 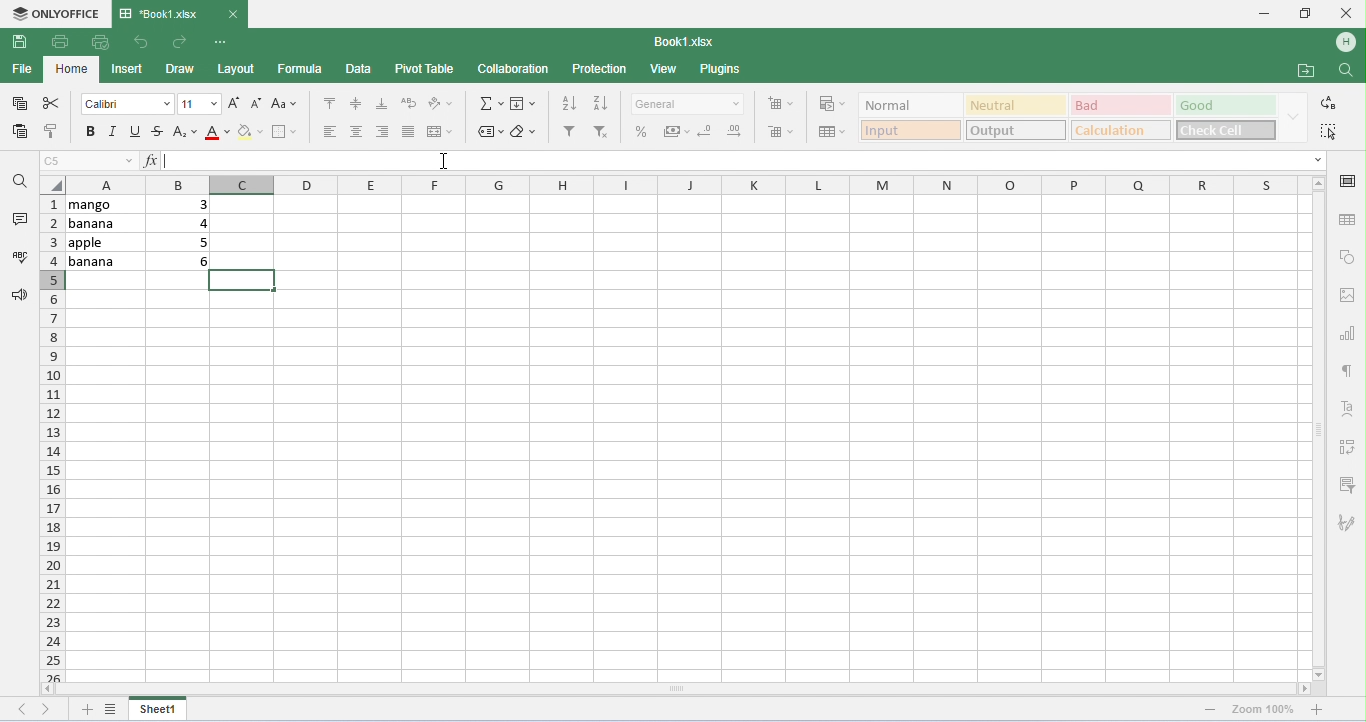 I want to click on insert function, so click(x=489, y=104).